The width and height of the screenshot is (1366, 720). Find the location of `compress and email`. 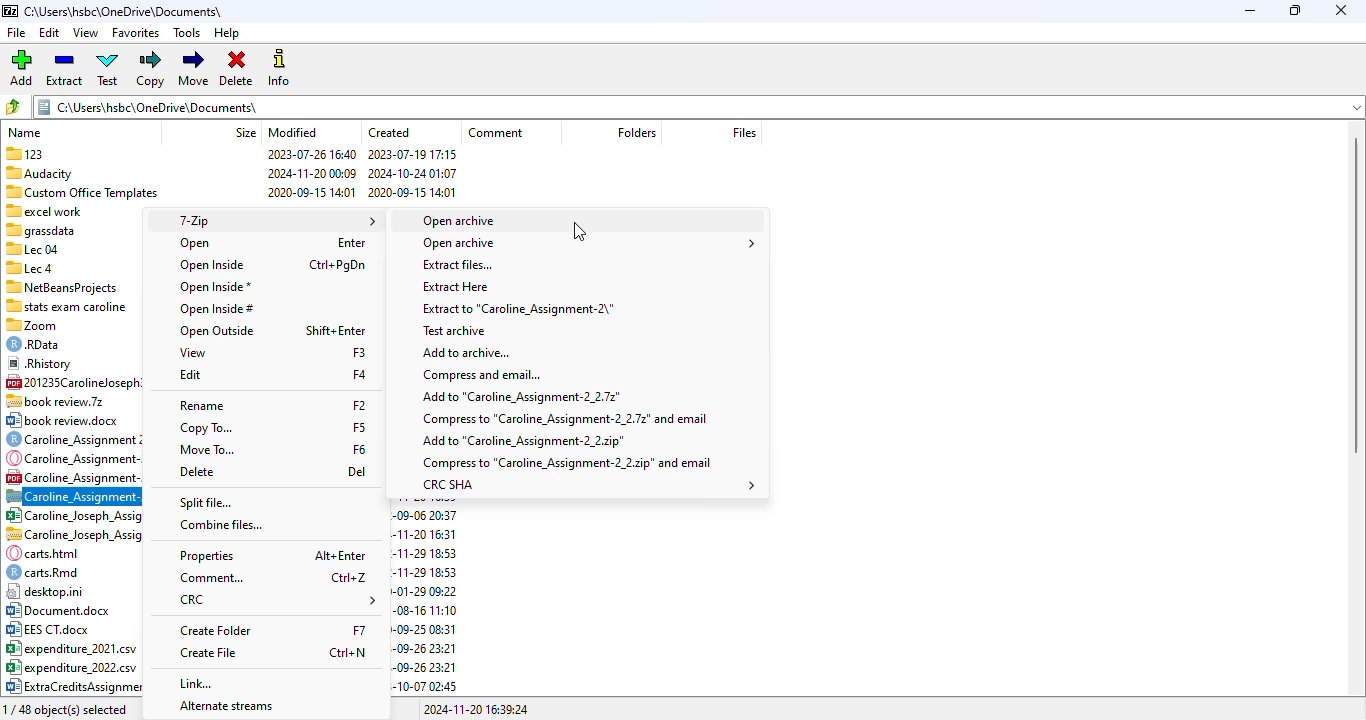

compress and email is located at coordinates (482, 374).